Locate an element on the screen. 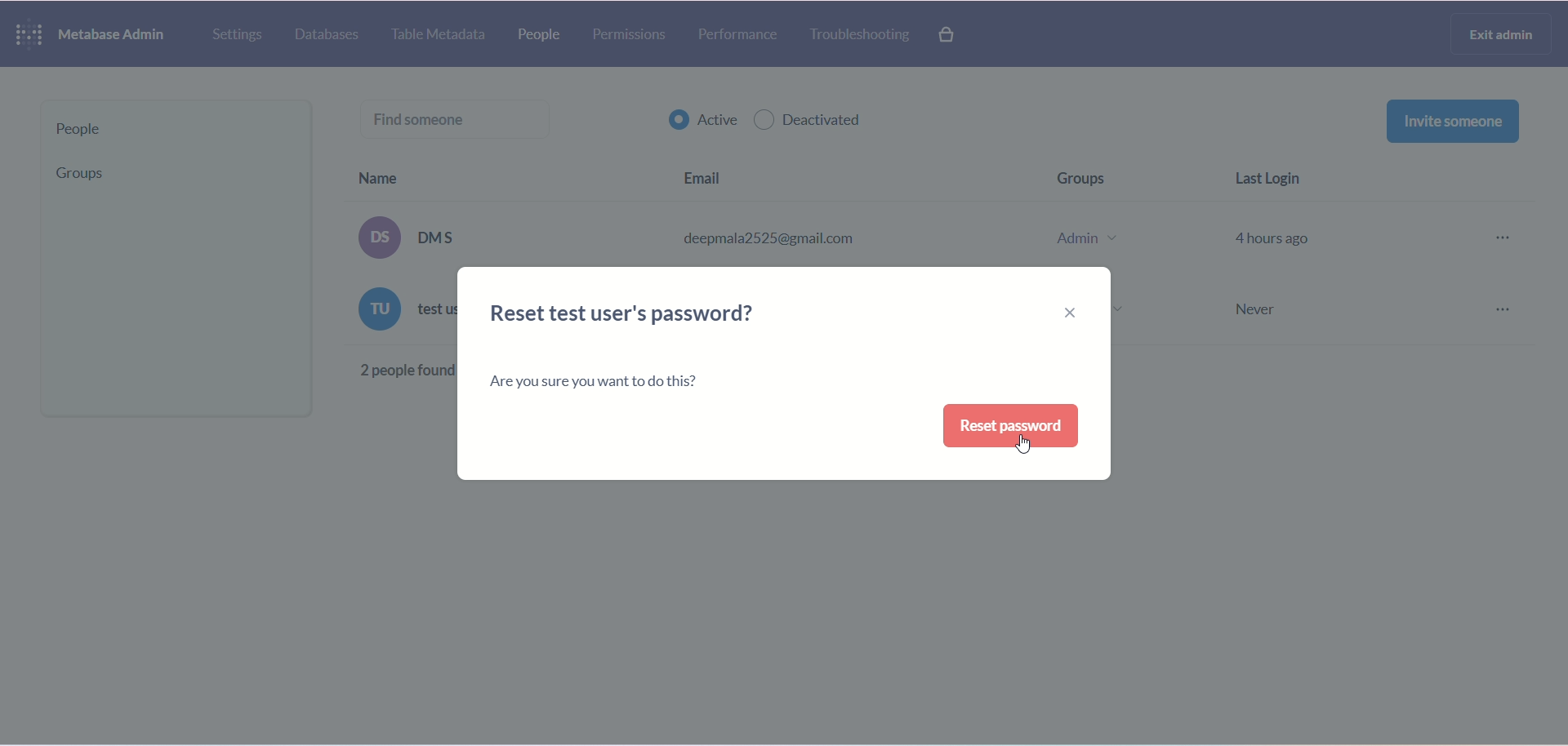  permissions is located at coordinates (634, 36).